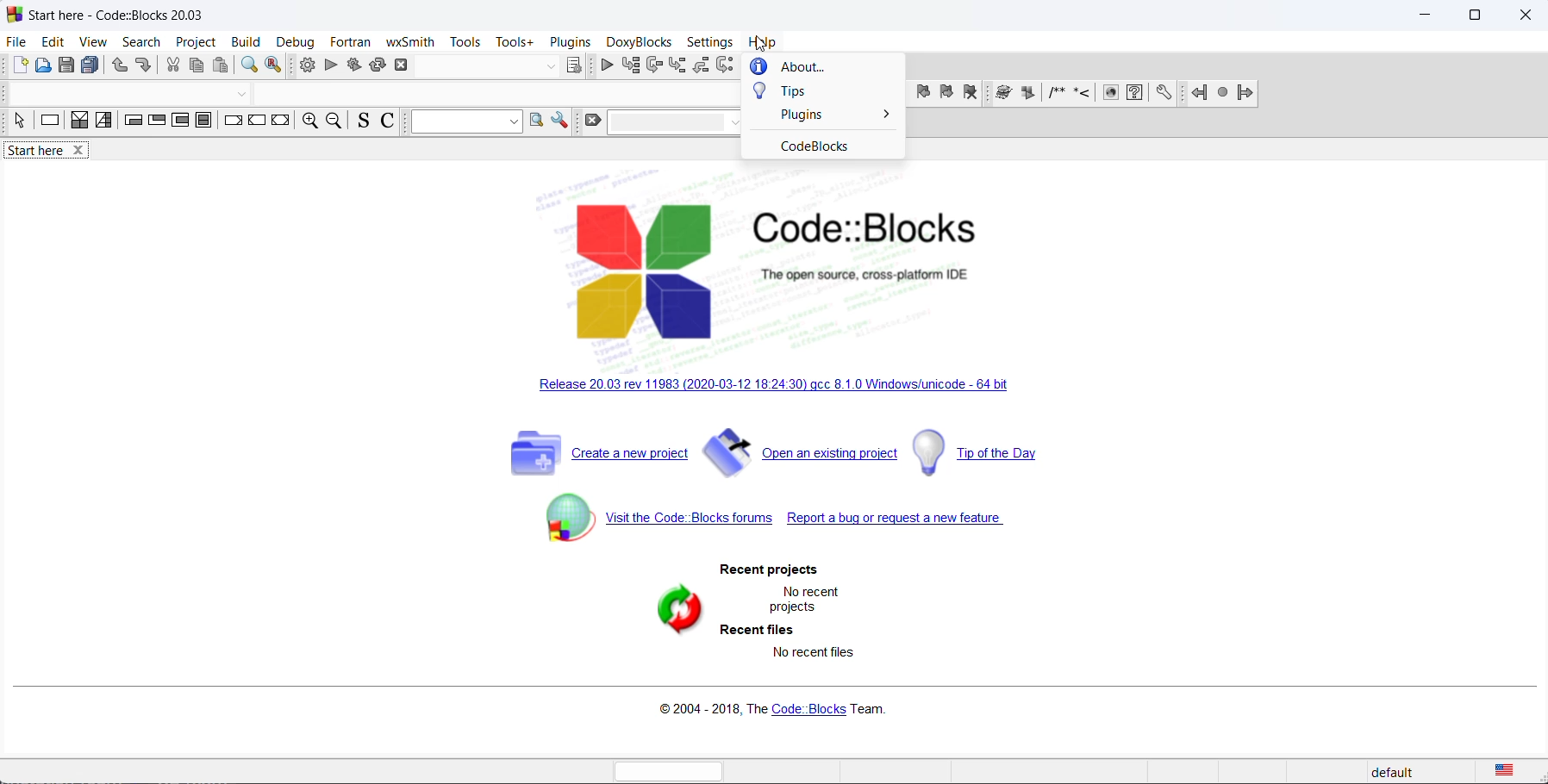 The image size is (1548, 784). I want to click on plugins, so click(821, 116).